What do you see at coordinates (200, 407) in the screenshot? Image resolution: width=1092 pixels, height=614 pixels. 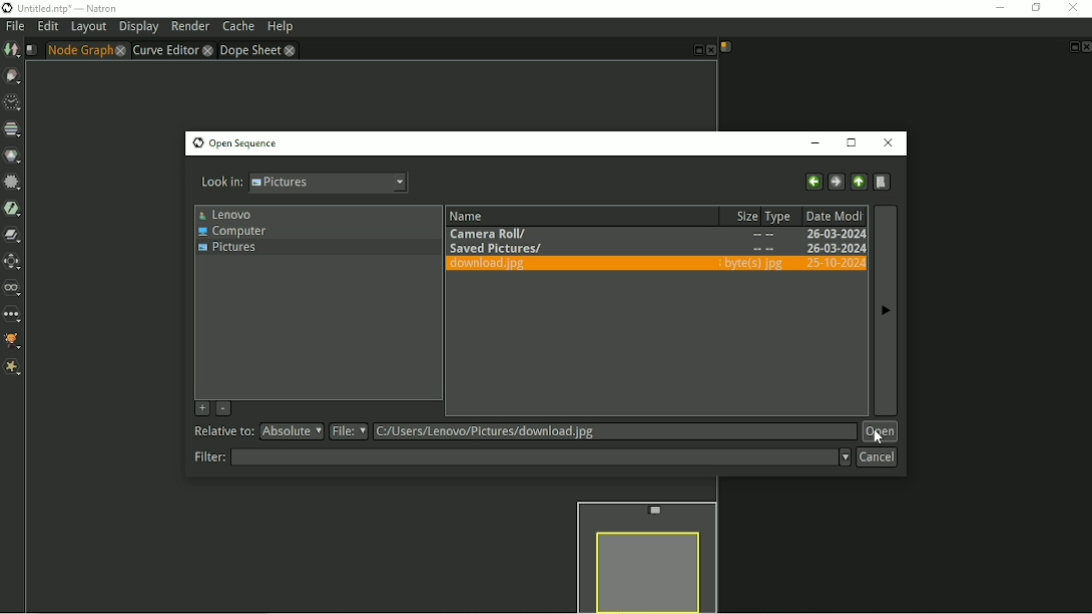 I see `Add the current directory to the favorites` at bounding box center [200, 407].